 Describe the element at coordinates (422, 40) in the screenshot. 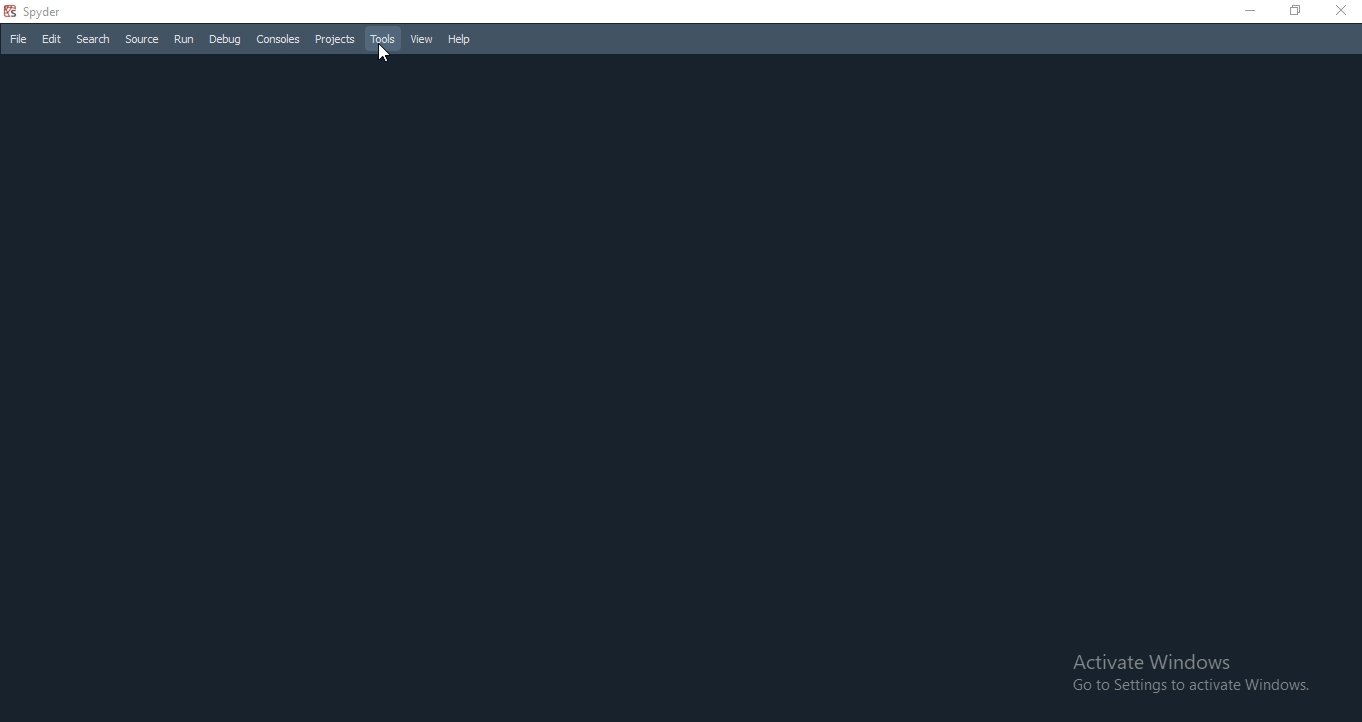

I see `view` at that location.